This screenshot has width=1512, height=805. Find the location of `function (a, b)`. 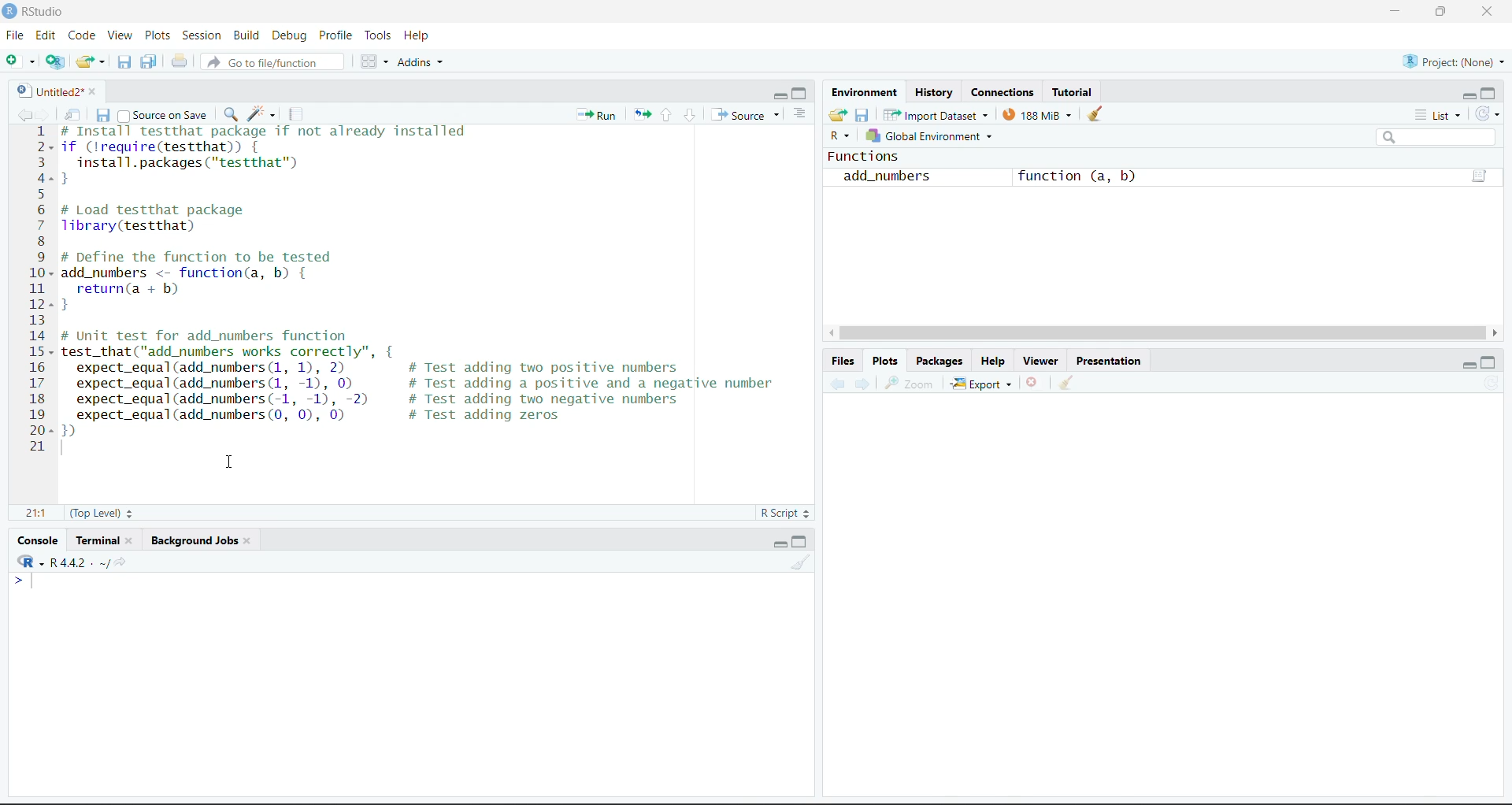

function (a, b) is located at coordinates (1079, 176).